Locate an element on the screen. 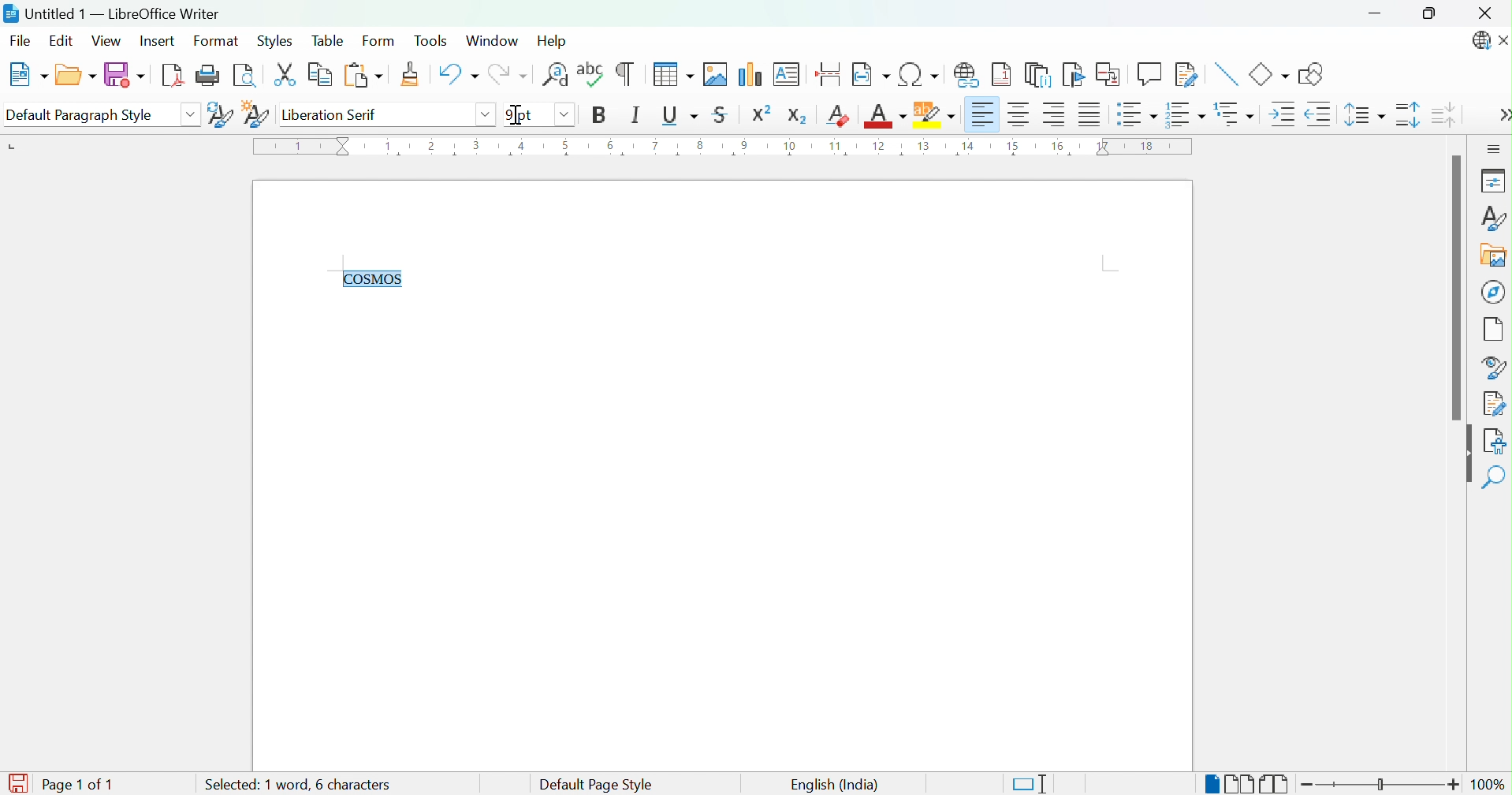  Form is located at coordinates (378, 42).